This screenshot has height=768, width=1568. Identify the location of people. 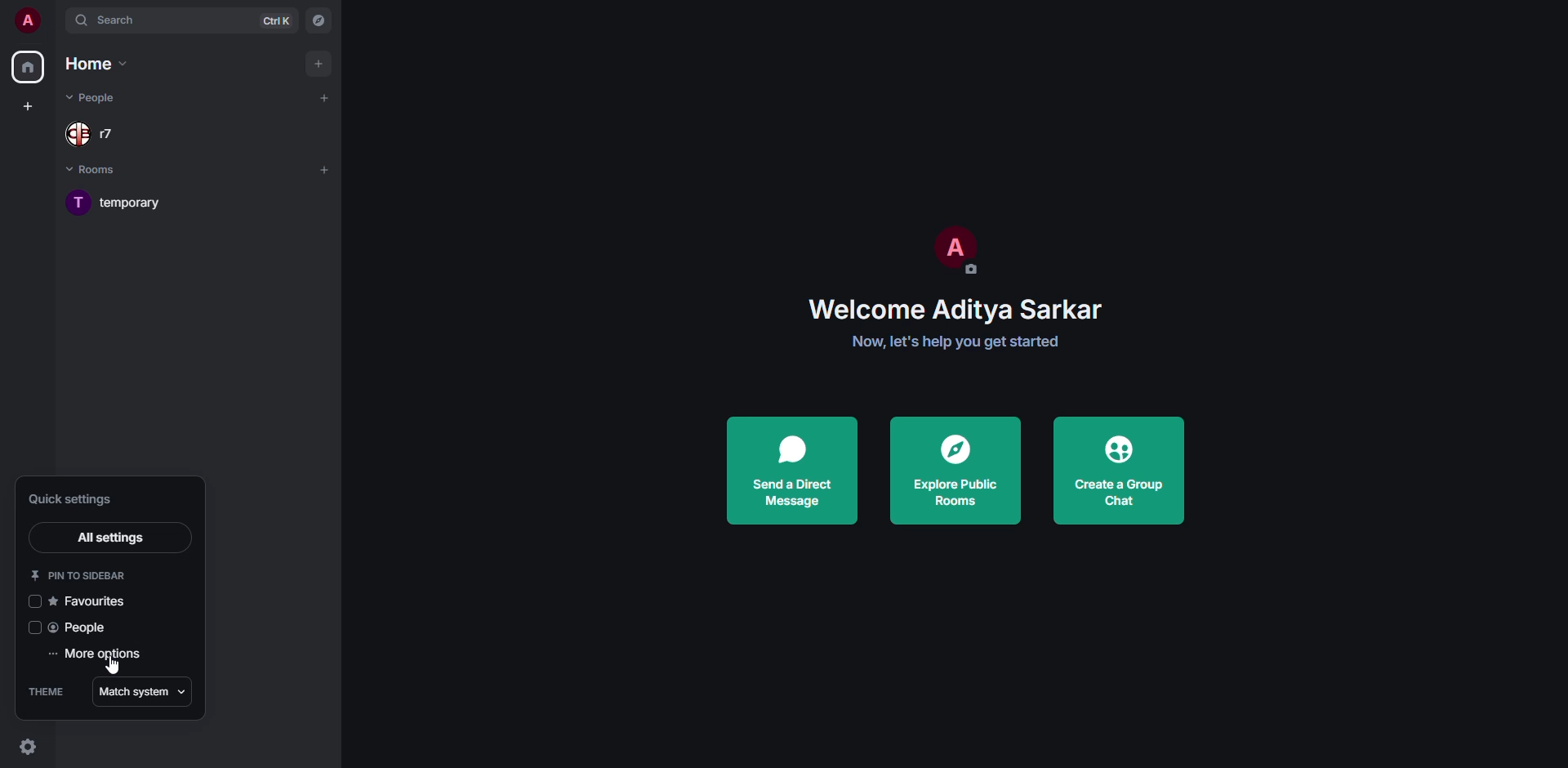
(100, 98).